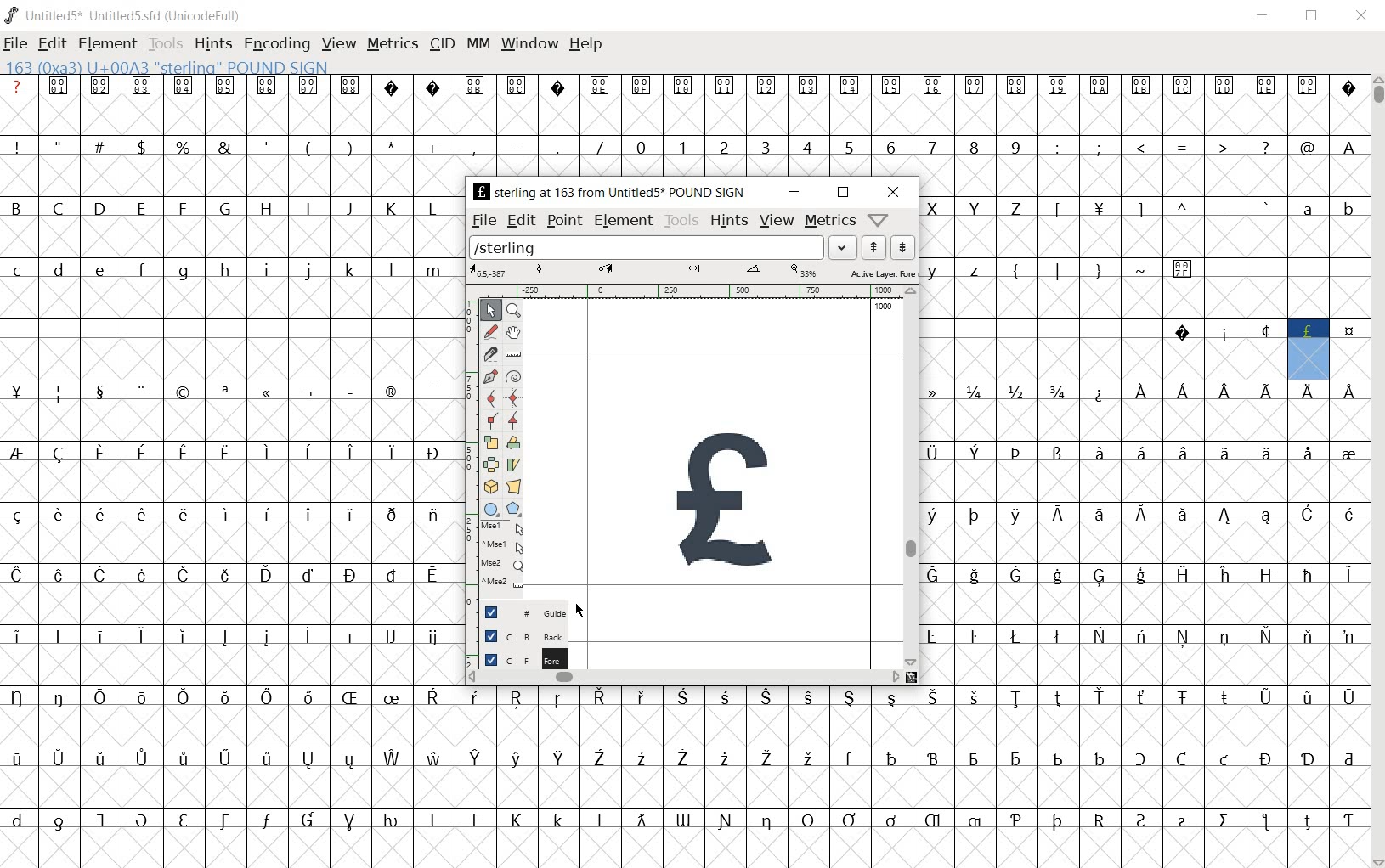 The image size is (1385, 868). What do you see at coordinates (1183, 395) in the screenshot?
I see `Symbol` at bounding box center [1183, 395].